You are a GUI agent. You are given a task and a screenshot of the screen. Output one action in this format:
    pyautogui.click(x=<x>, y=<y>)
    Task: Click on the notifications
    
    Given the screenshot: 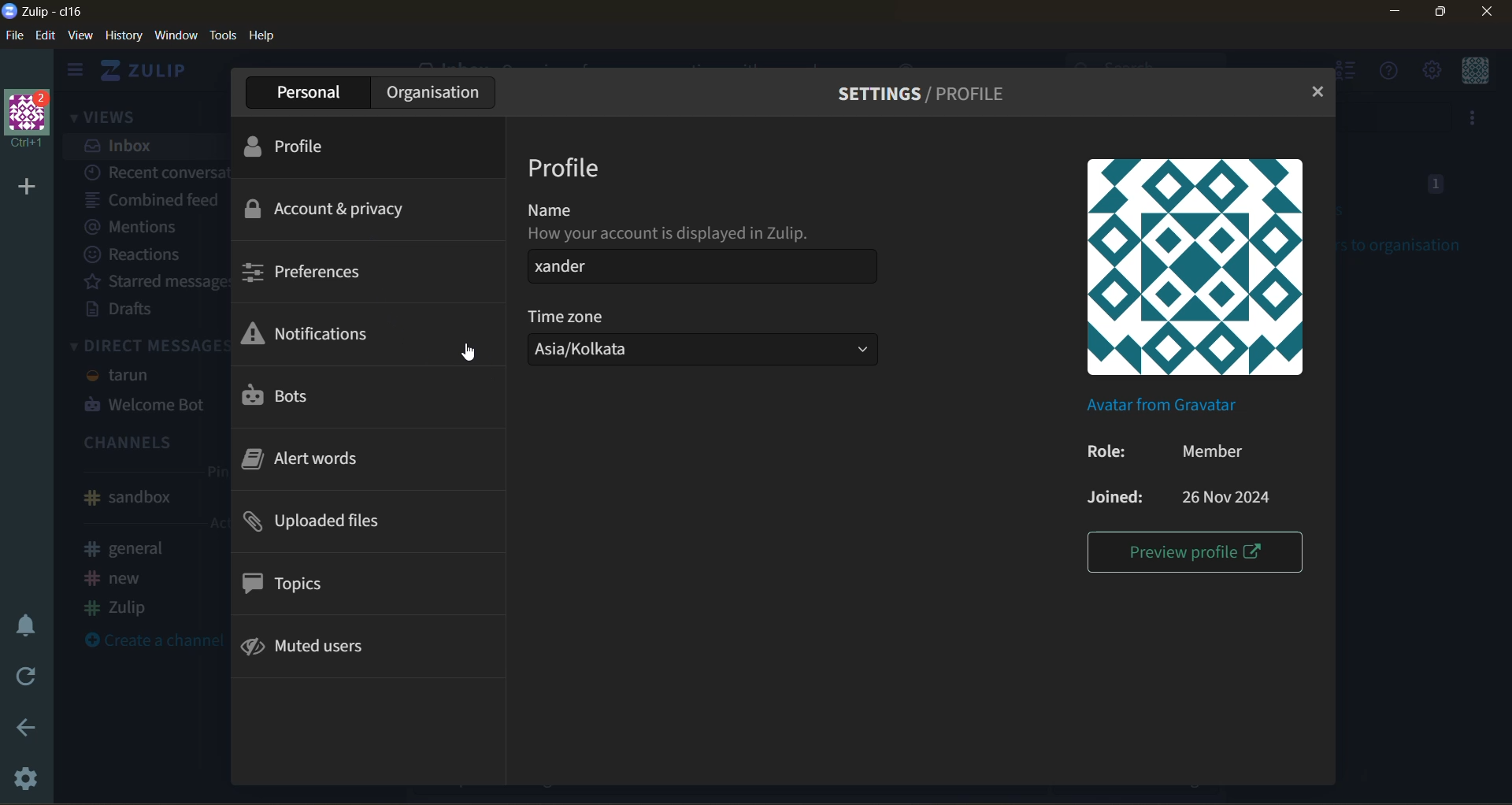 What is the action you would take?
    pyautogui.click(x=312, y=336)
    